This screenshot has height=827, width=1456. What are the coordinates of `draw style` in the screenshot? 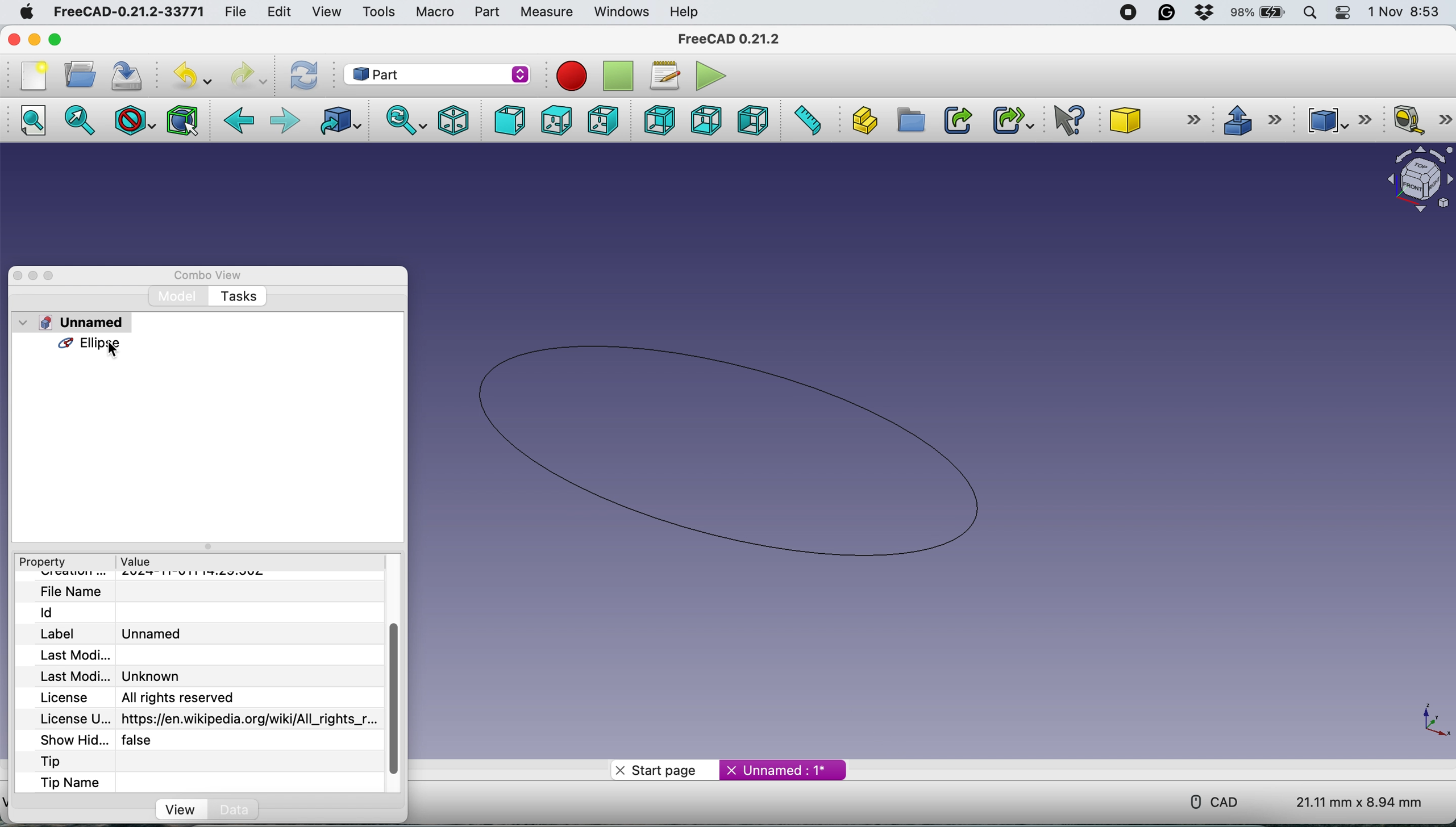 It's located at (132, 120).